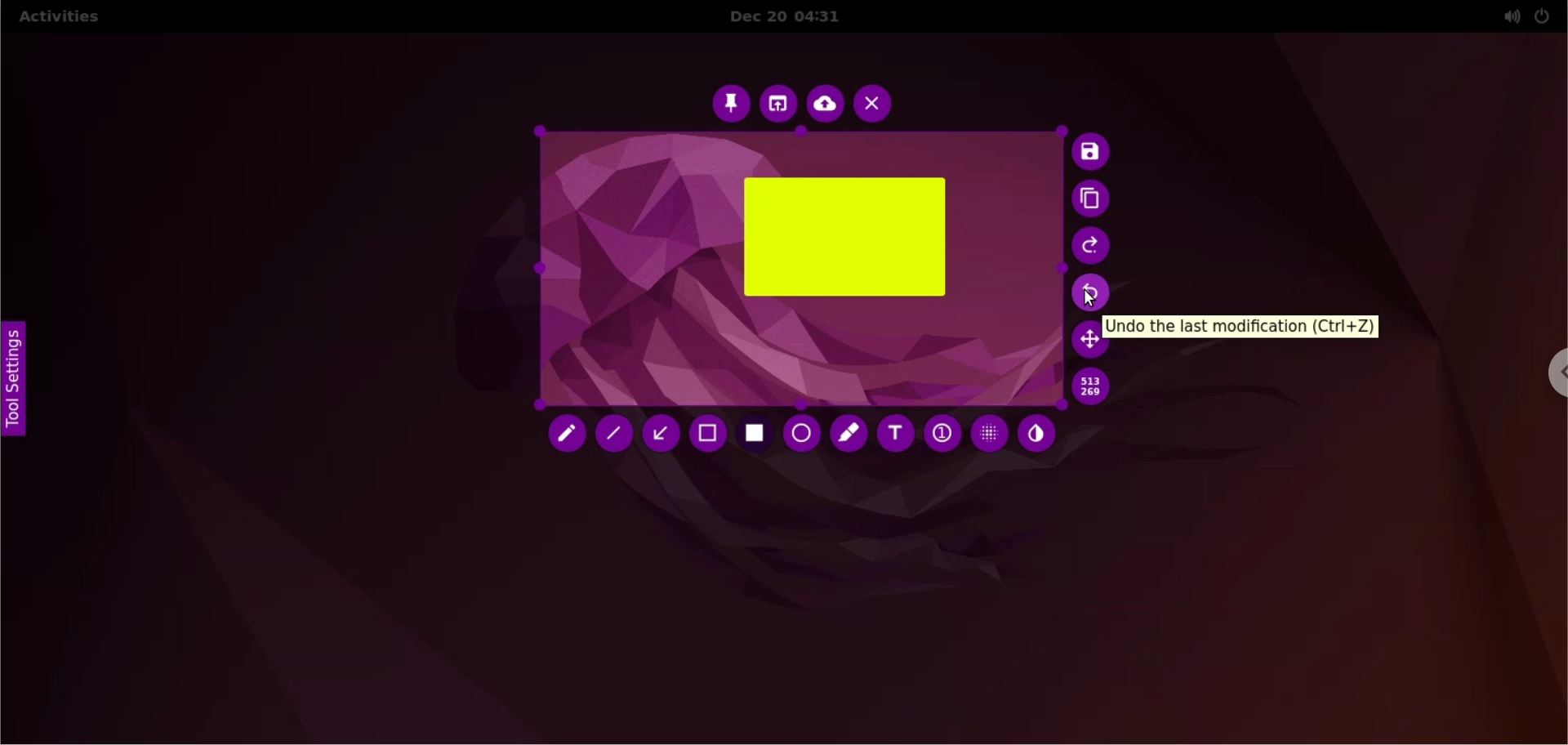 The image size is (1568, 745). Describe the element at coordinates (898, 437) in the screenshot. I see `add text` at that location.